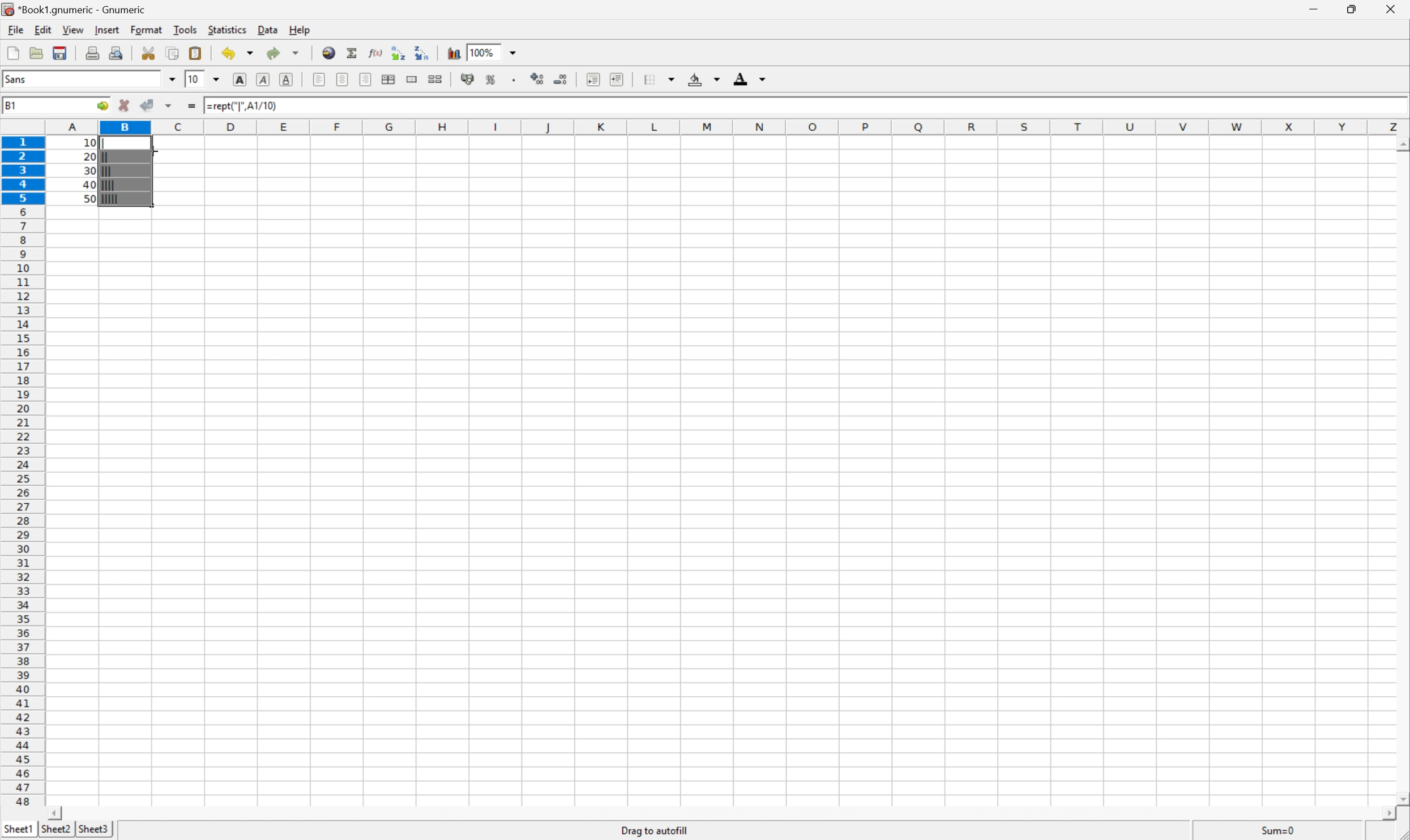 This screenshot has height=840, width=1410. I want to click on Drop Down, so click(514, 51).